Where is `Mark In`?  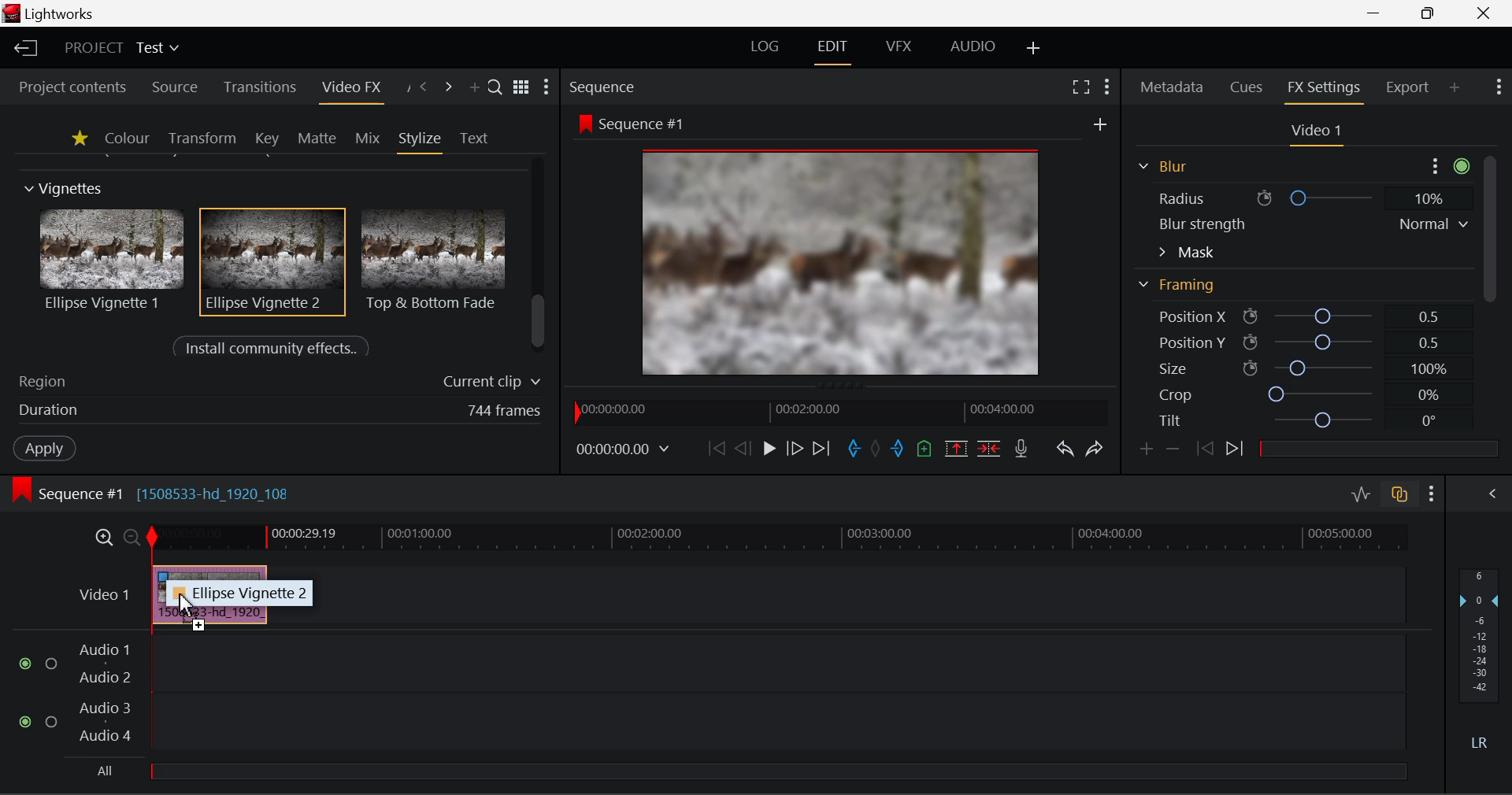
Mark In is located at coordinates (852, 446).